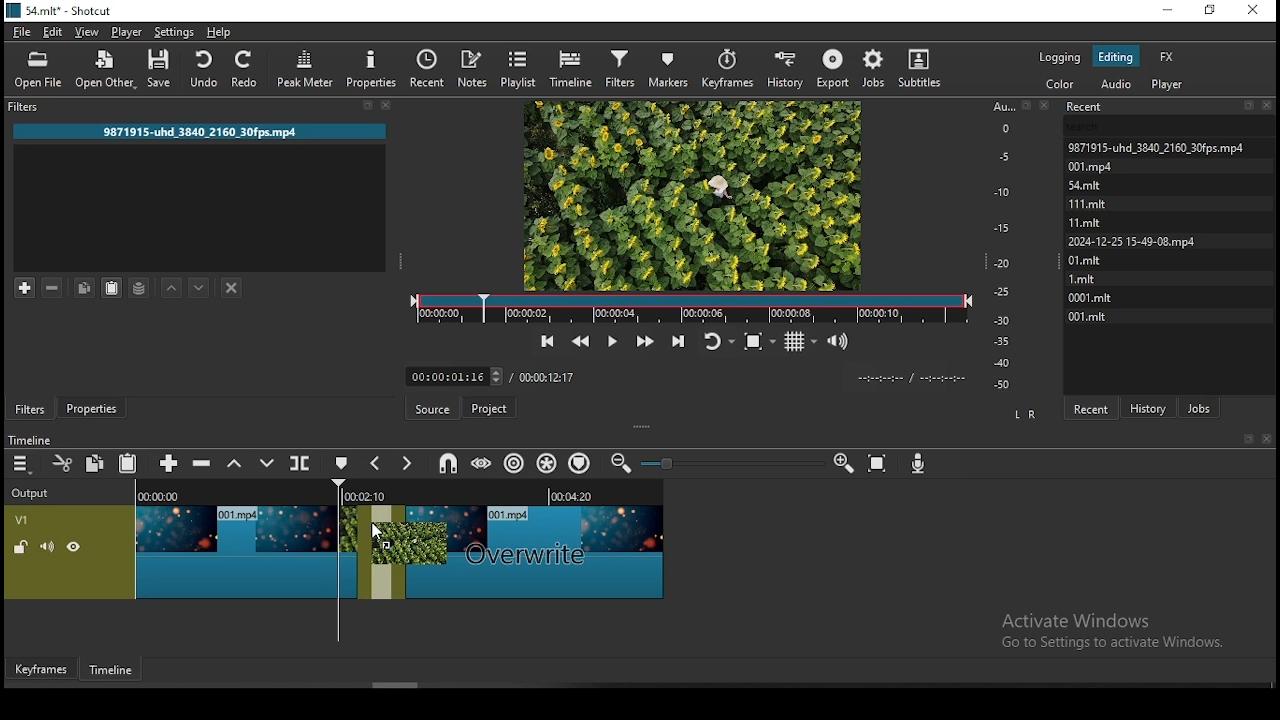 Image resolution: width=1280 pixels, height=720 pixels. What do you see at coordinates (918, 462) in the screenshot?
I see `record audio` at bounding box center [918, 462].